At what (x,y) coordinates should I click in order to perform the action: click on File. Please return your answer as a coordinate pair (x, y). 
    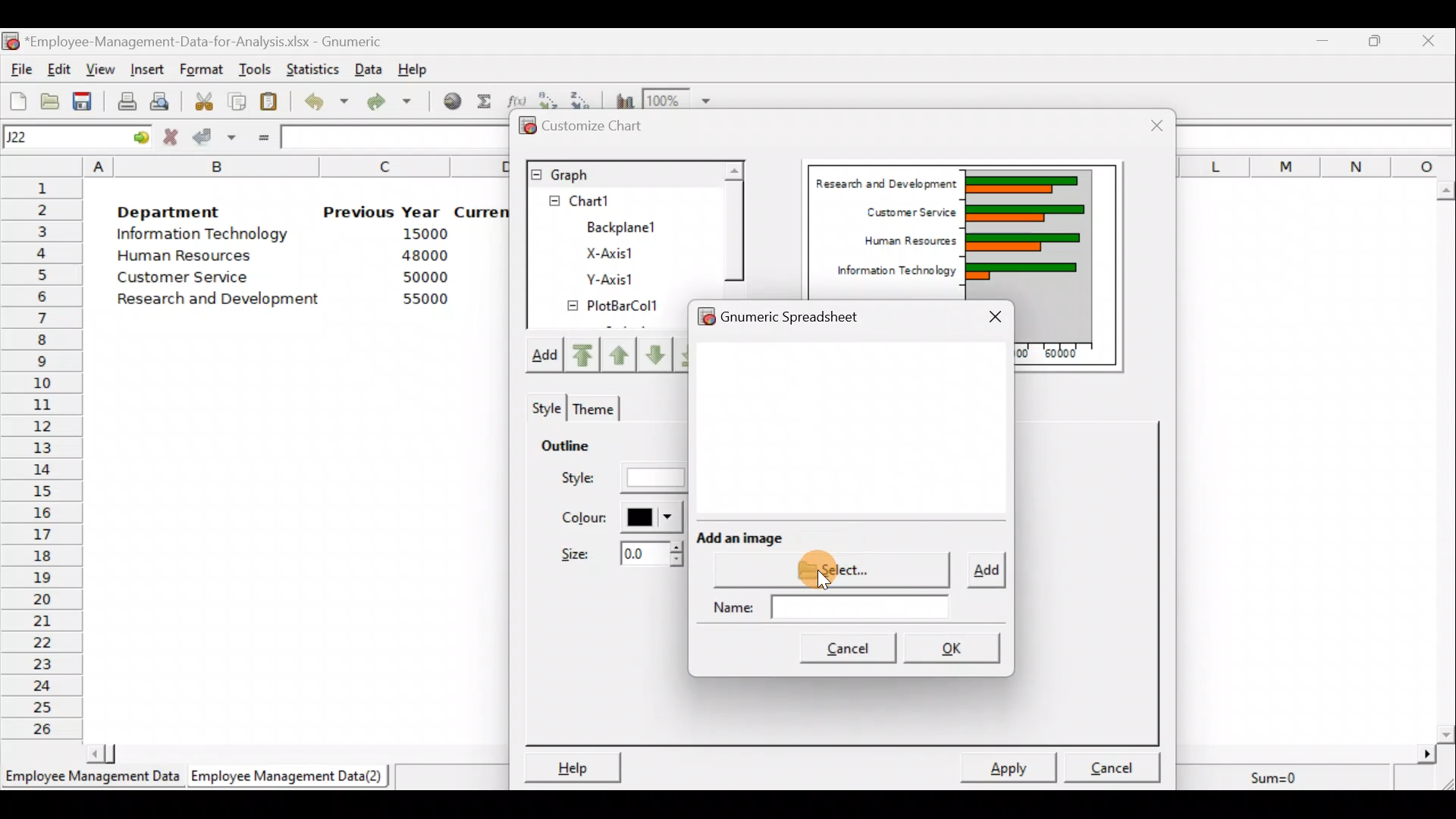
    Looking at the image, I should click on (19, 69).